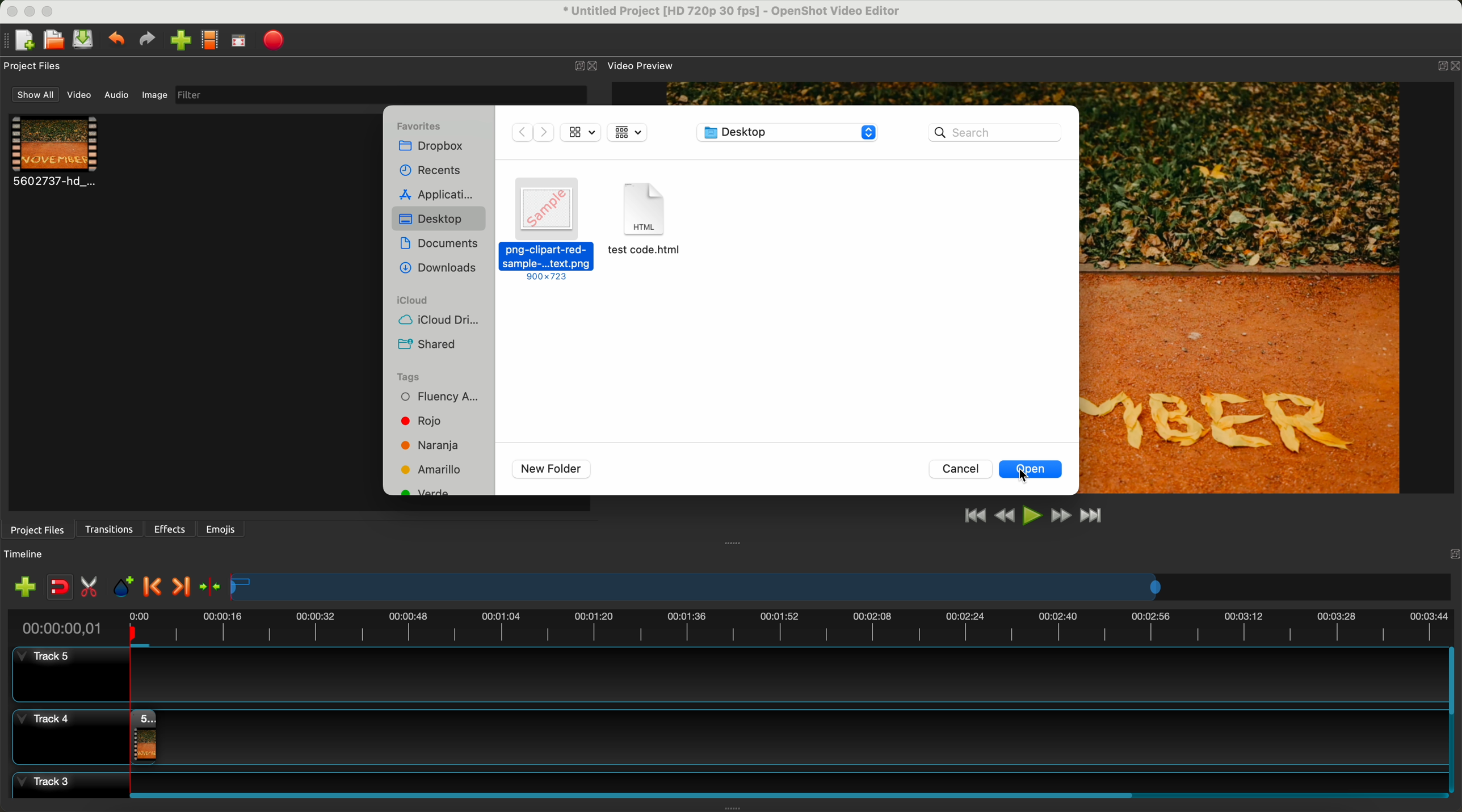  What do you see at coordinates (647, 229) in the screenshot?
I see `file` at bounding box center [647, 229].